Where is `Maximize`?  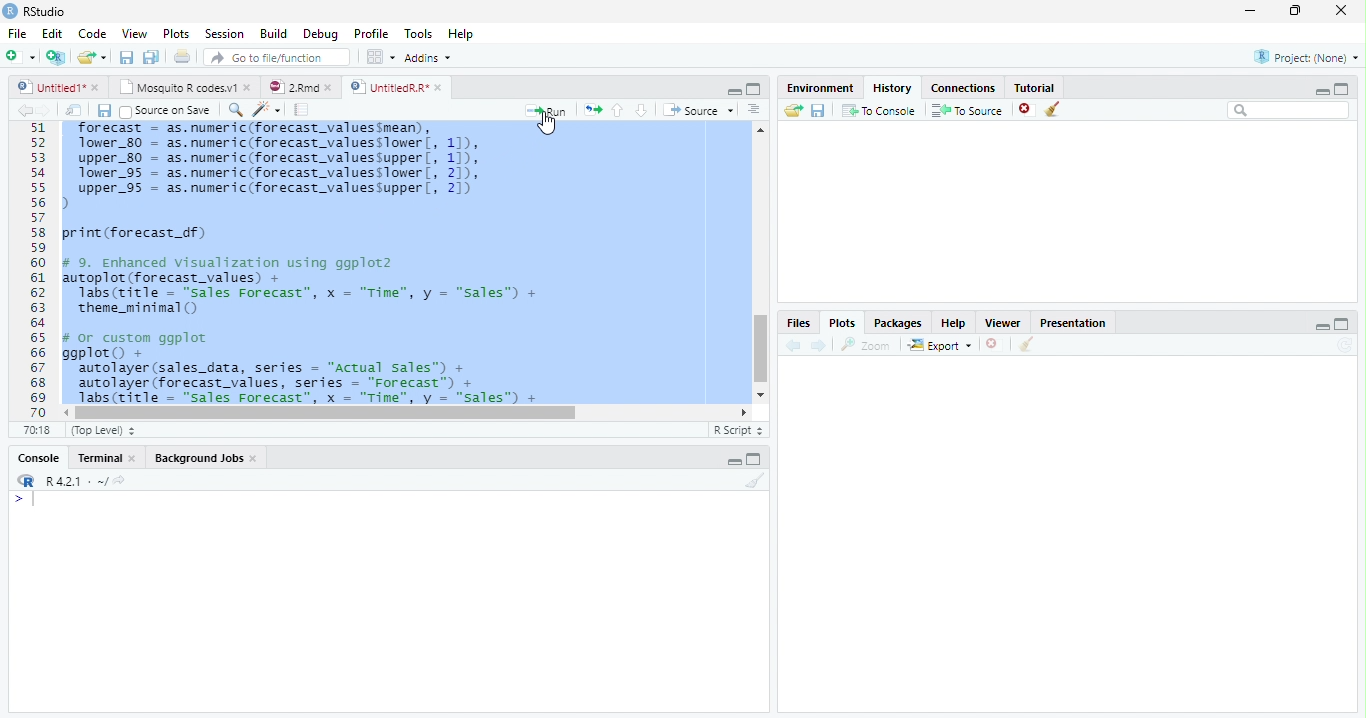
Maximize is located at coordinates (1346, 88).